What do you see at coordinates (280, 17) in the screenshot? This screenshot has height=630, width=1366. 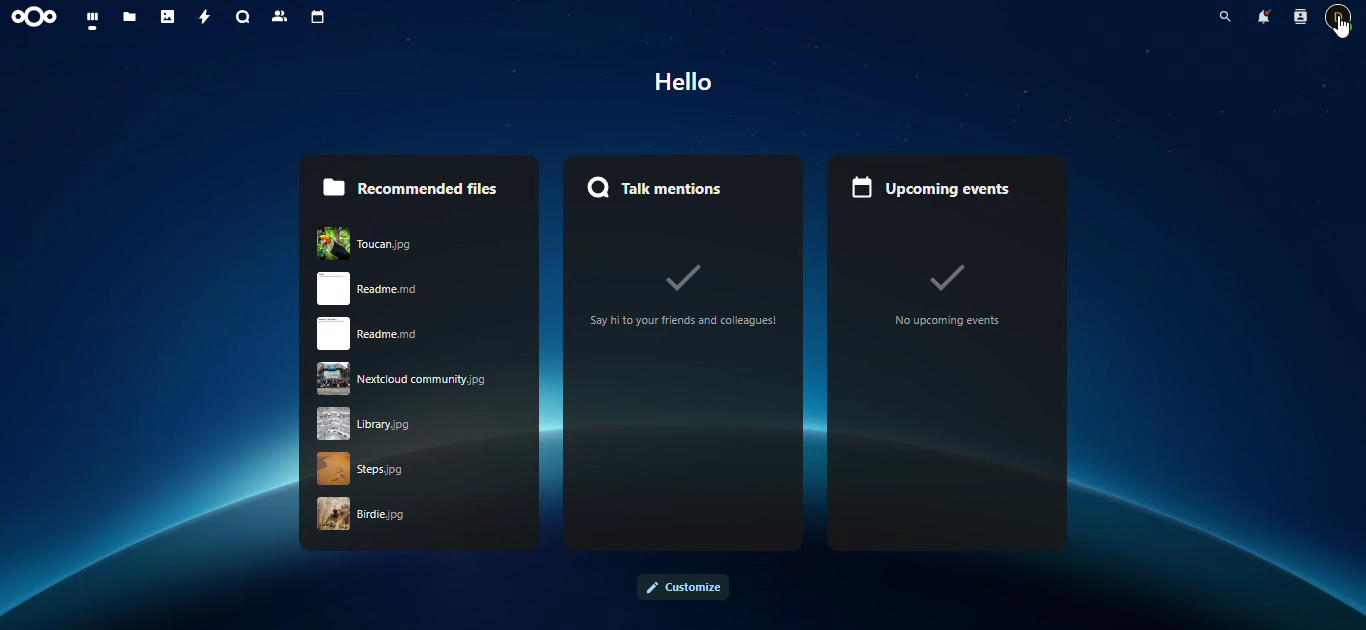 I see `contacts` at bounding box center [280, 17].